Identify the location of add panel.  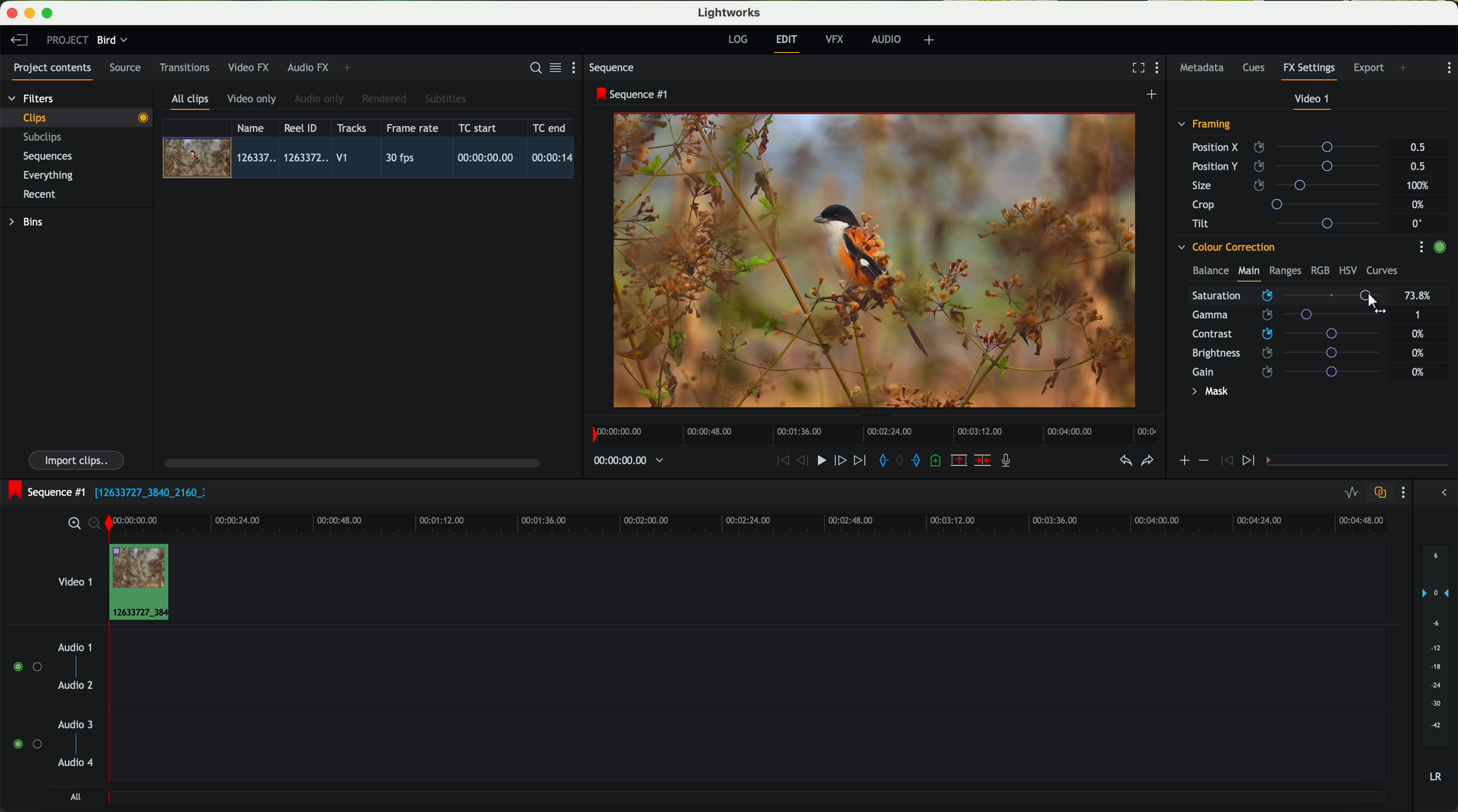
(1406, 69).